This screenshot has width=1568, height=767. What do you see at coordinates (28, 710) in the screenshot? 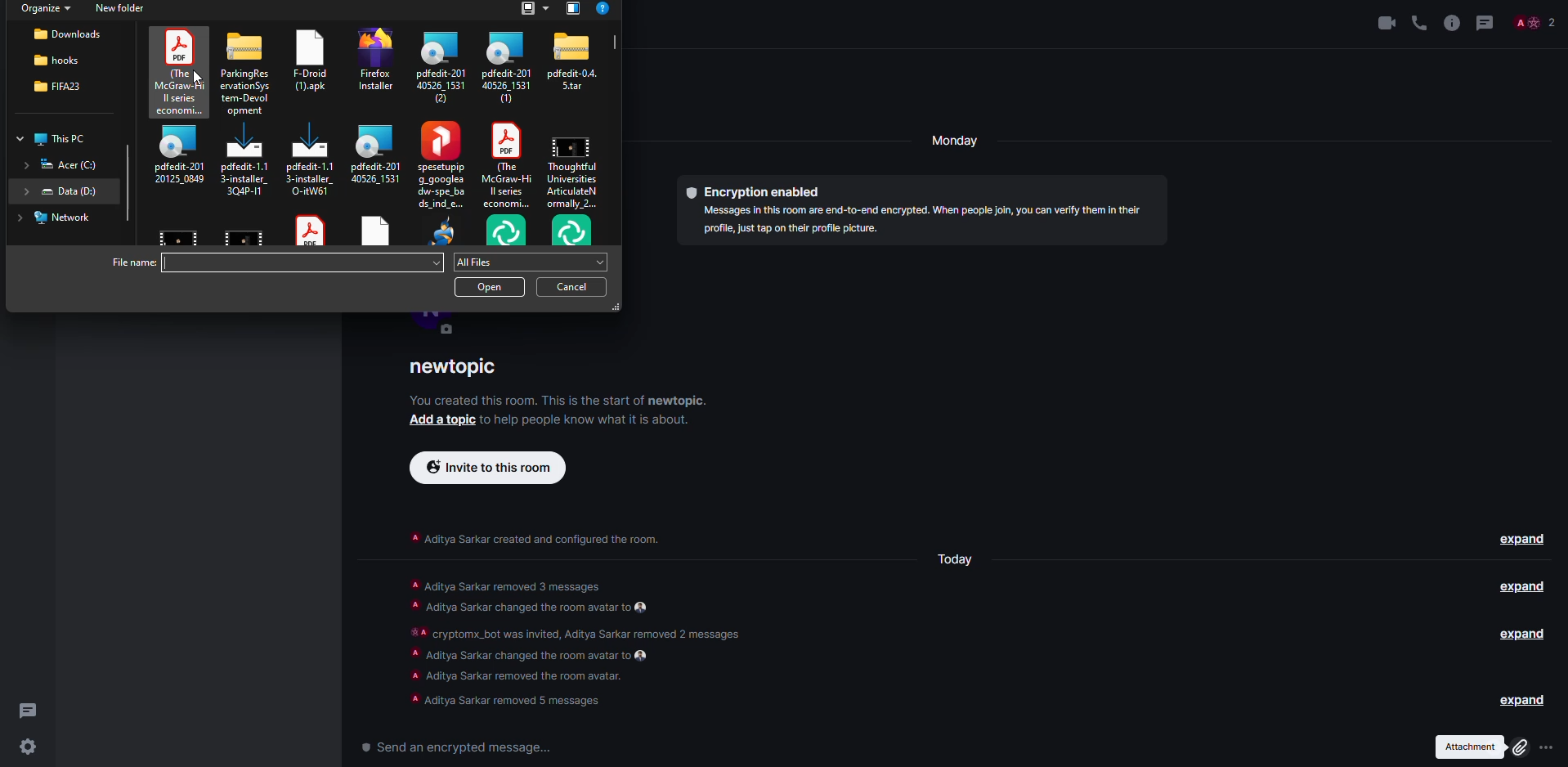
I see `threads` at bounding box center [28, 710].